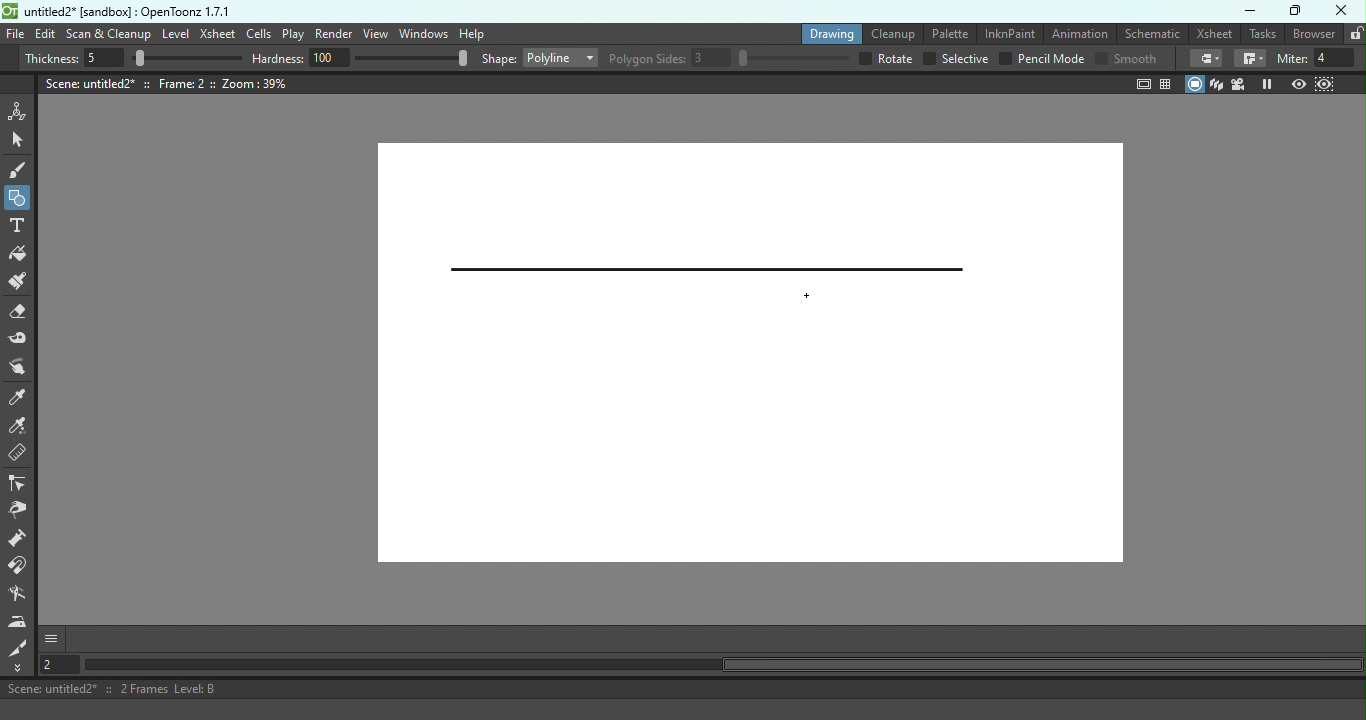 The width and height of the screenshot is (1366, 720). Describe the element at coordinates (1356, 34) in the screenshot. I see `Lock rooms tab` at that location.